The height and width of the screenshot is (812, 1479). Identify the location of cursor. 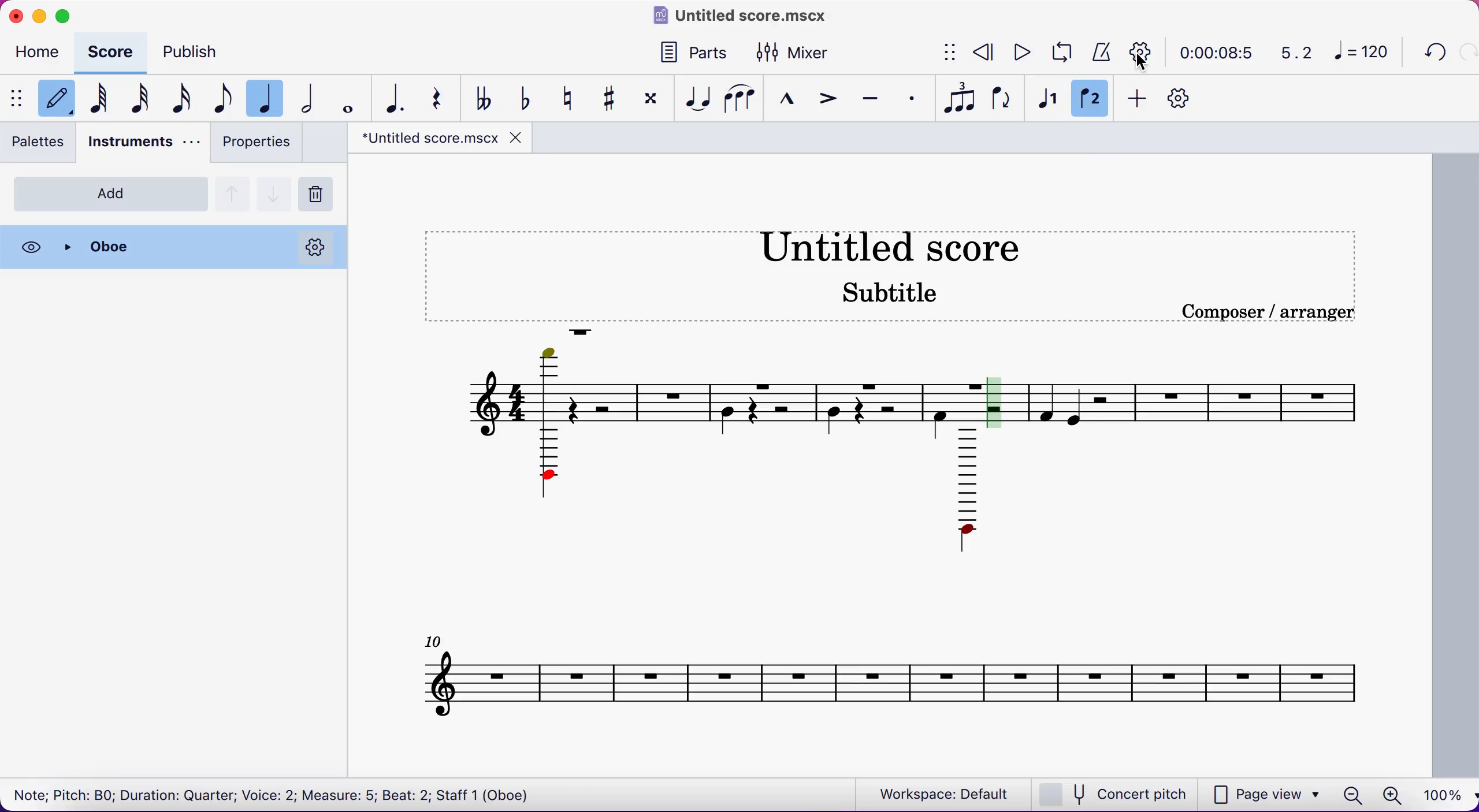
(1143, 62).